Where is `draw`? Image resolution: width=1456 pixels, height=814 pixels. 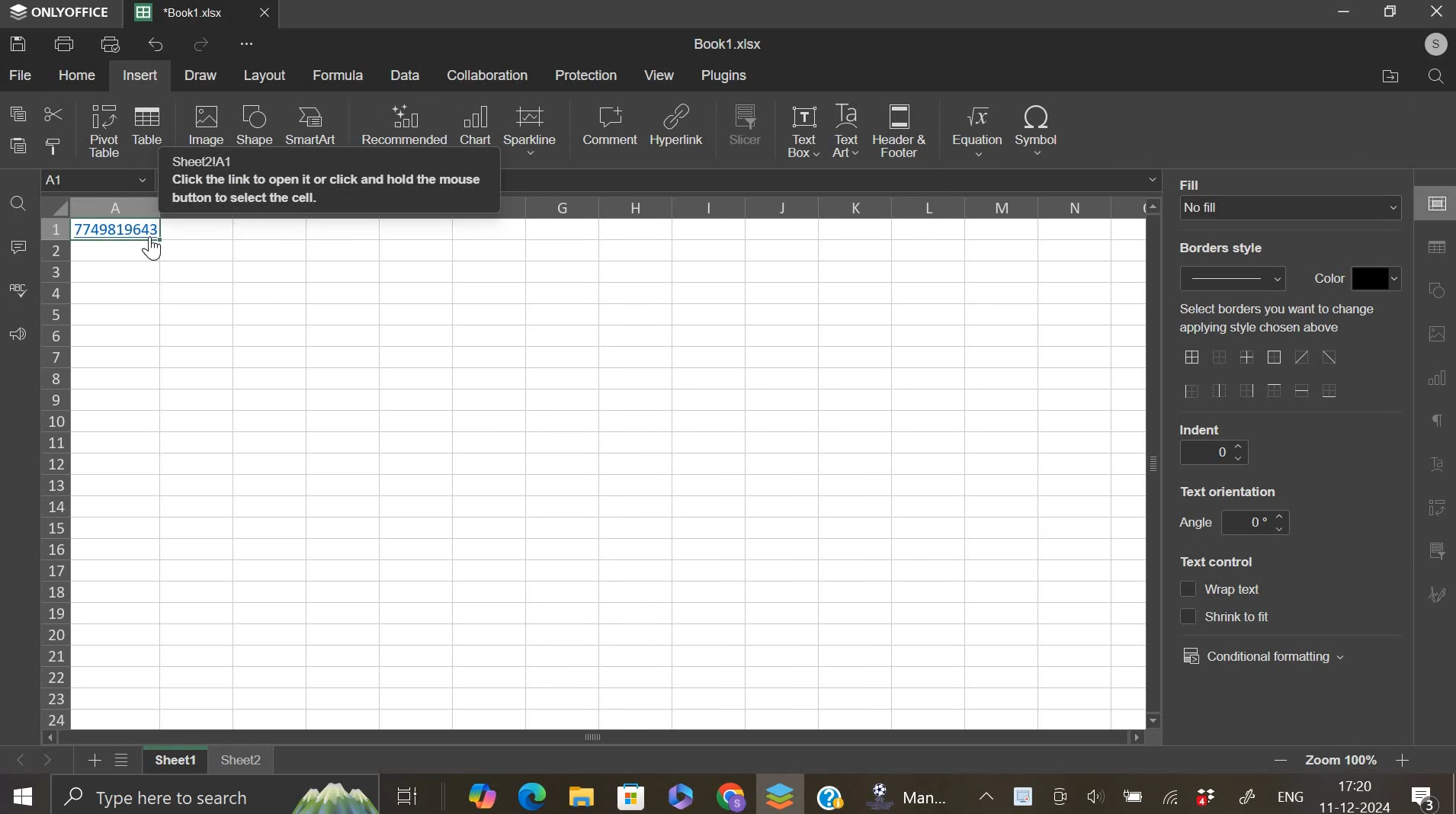
draw is located at coordinates (201, 75).